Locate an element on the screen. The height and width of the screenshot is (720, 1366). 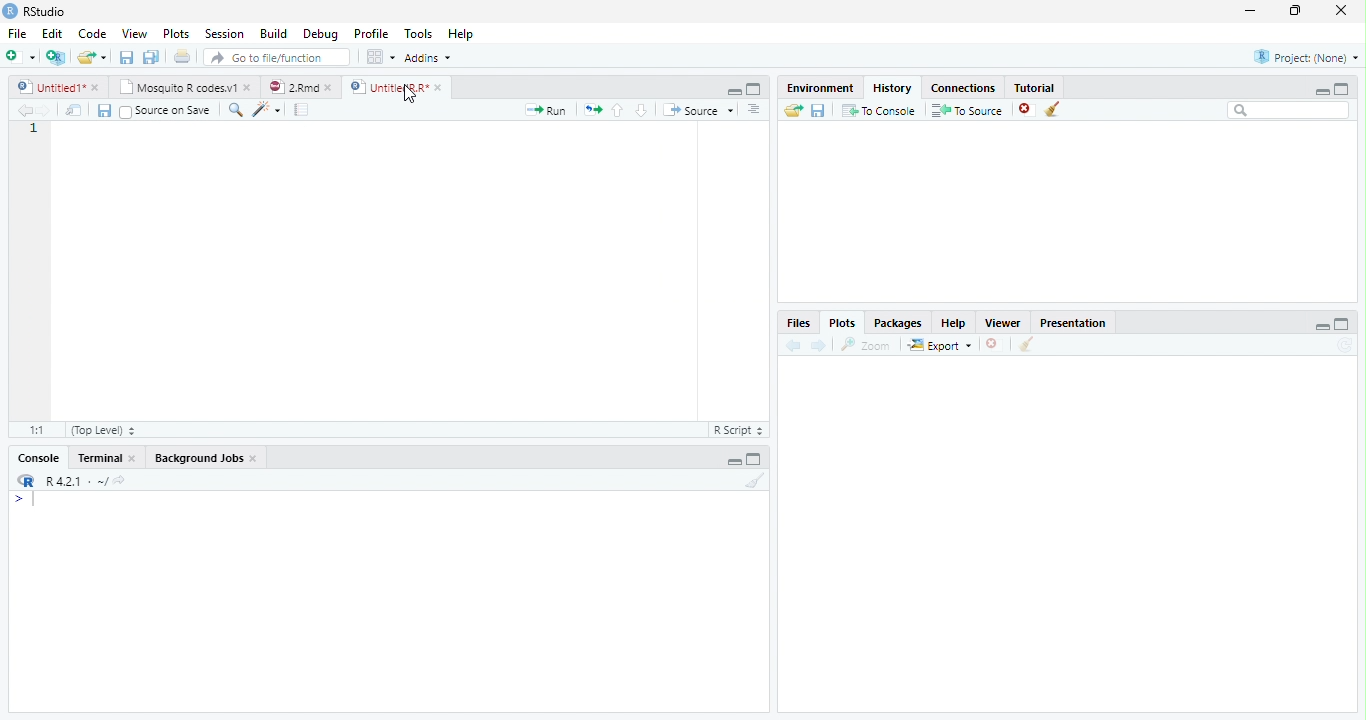
Clear console is located at coordinates (756, 480).